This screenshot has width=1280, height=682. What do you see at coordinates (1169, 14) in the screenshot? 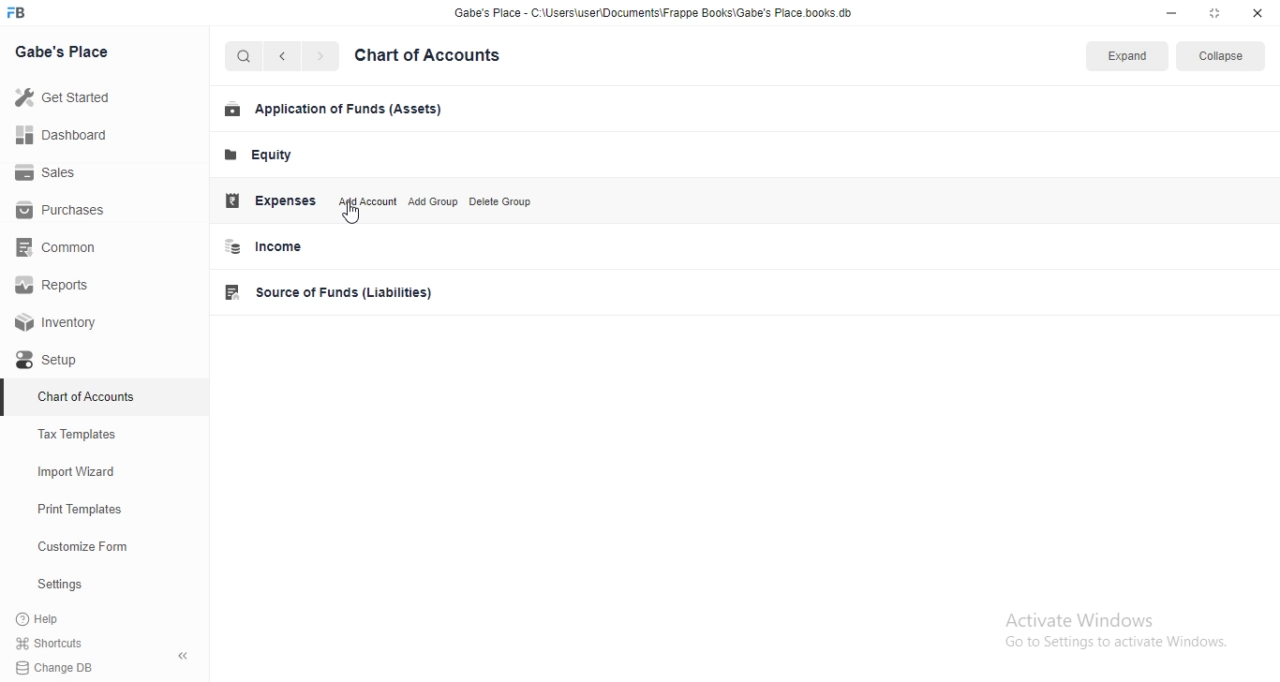
I see `minimize` at bounding box center [1169, 14].